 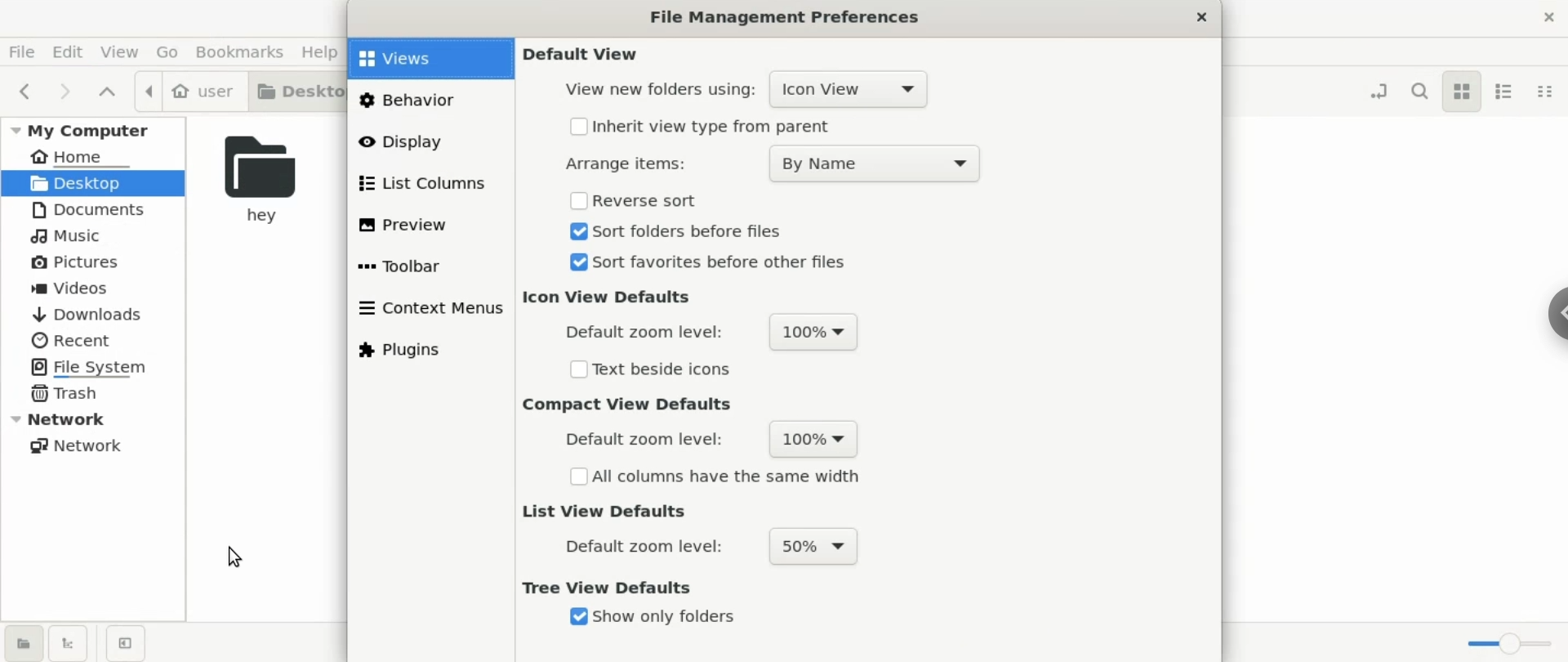 What do you see at coordinates (80, 339) in the screenshot?
I see `recent` at bounding box center [80, 339].